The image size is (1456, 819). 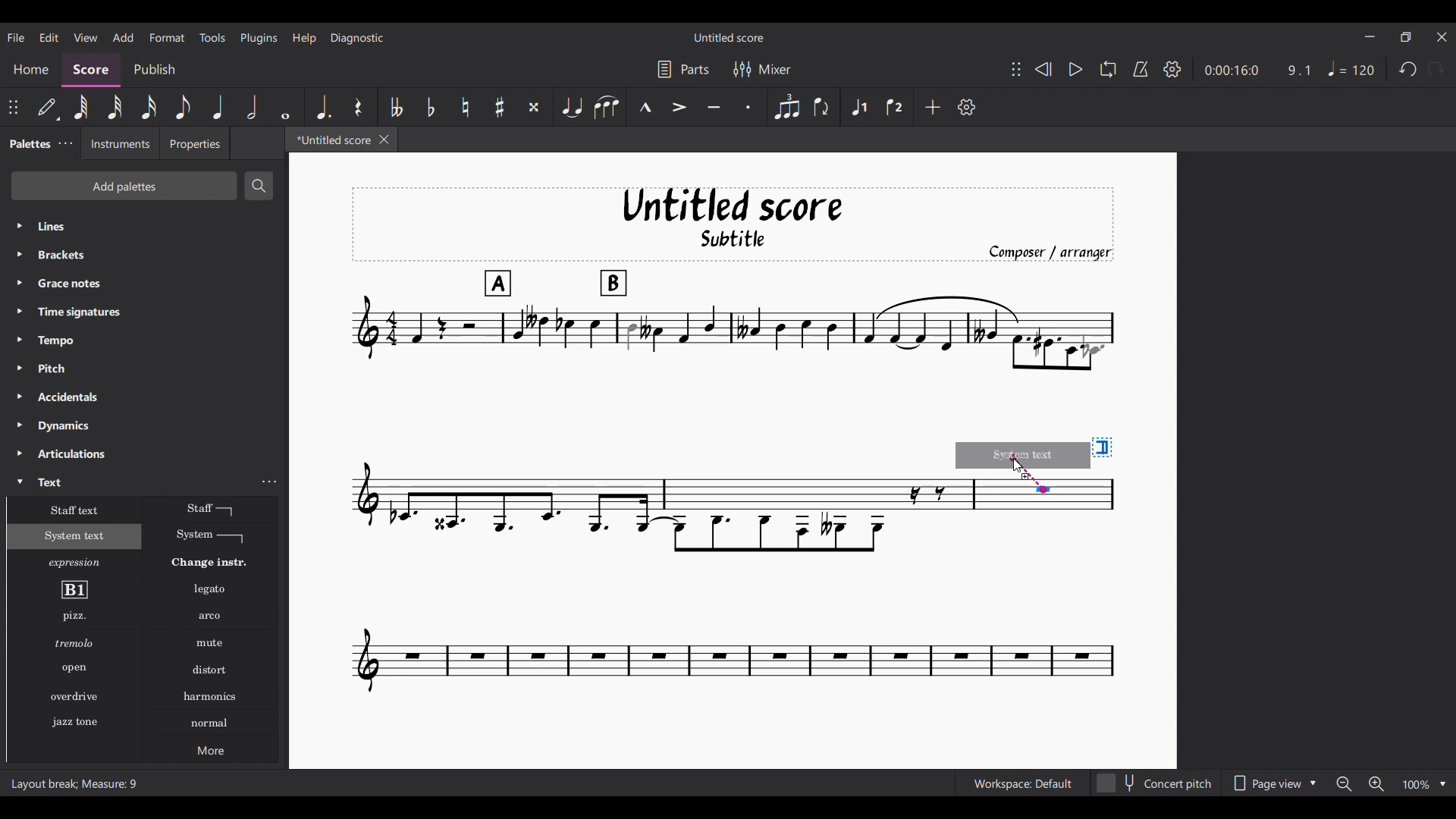 What do you see at coordinates (1425, 783) in the screenshot?
I see `Zoom options` at bounding box center [1425, 783].